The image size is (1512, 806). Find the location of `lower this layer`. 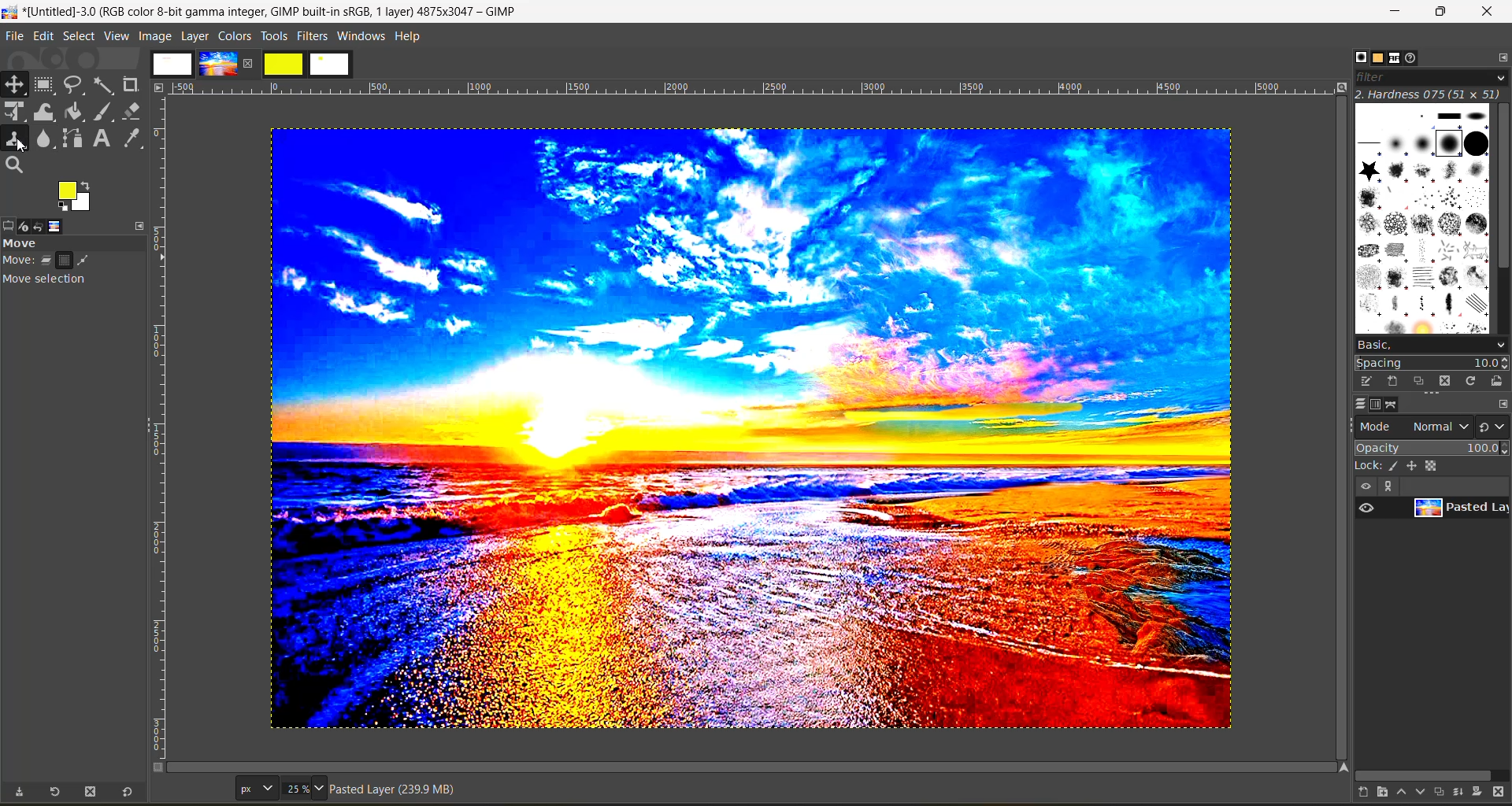

lower this layer is located at coordinates (1416, 793).